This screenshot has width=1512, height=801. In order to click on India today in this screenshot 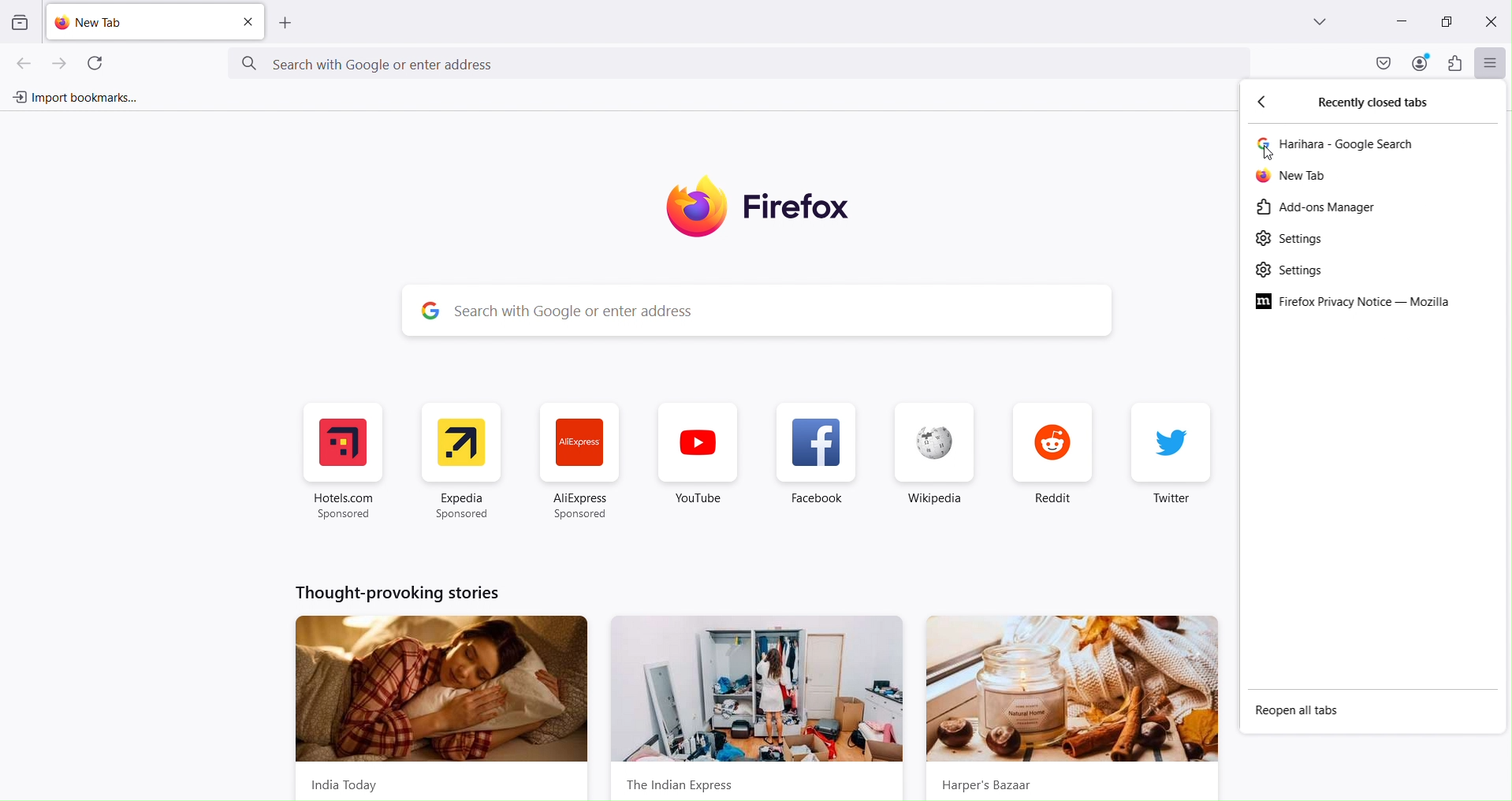, I will do `click(438, 705)`.